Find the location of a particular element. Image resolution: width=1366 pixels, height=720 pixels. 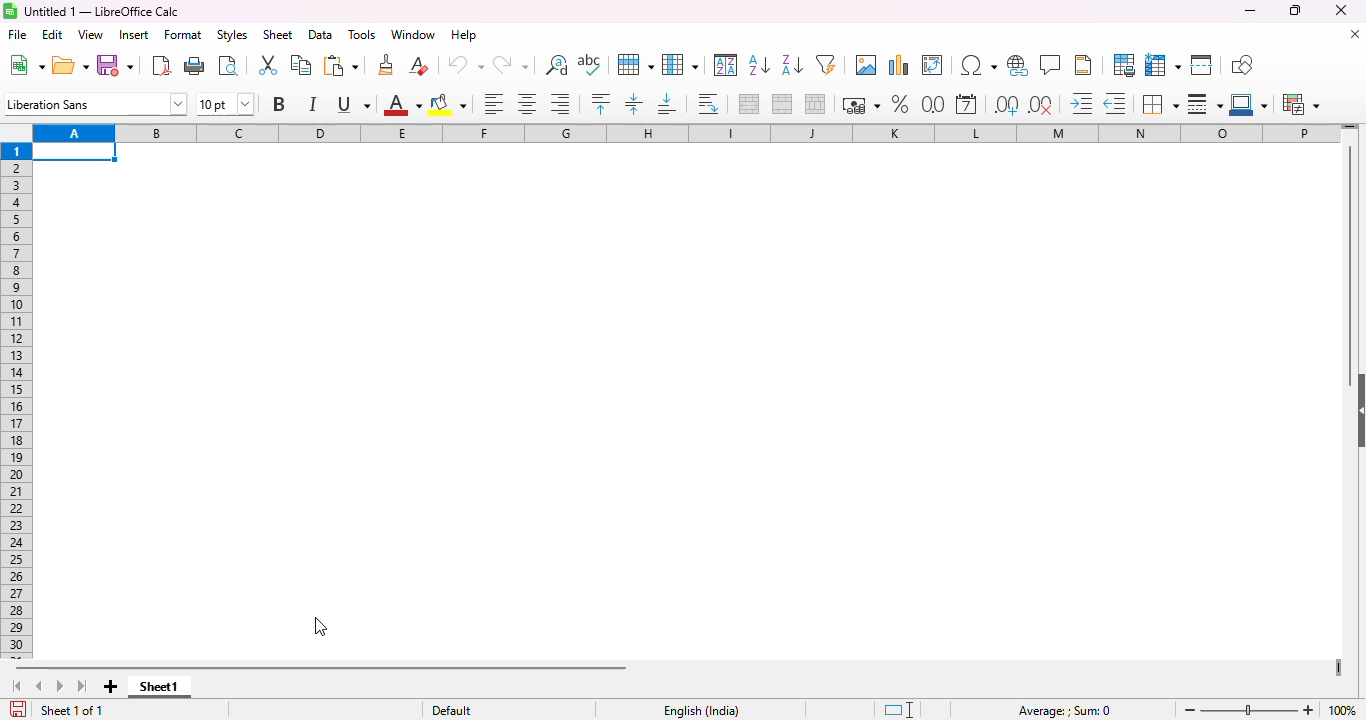

insert special characters is located at coordinates (978, 66).